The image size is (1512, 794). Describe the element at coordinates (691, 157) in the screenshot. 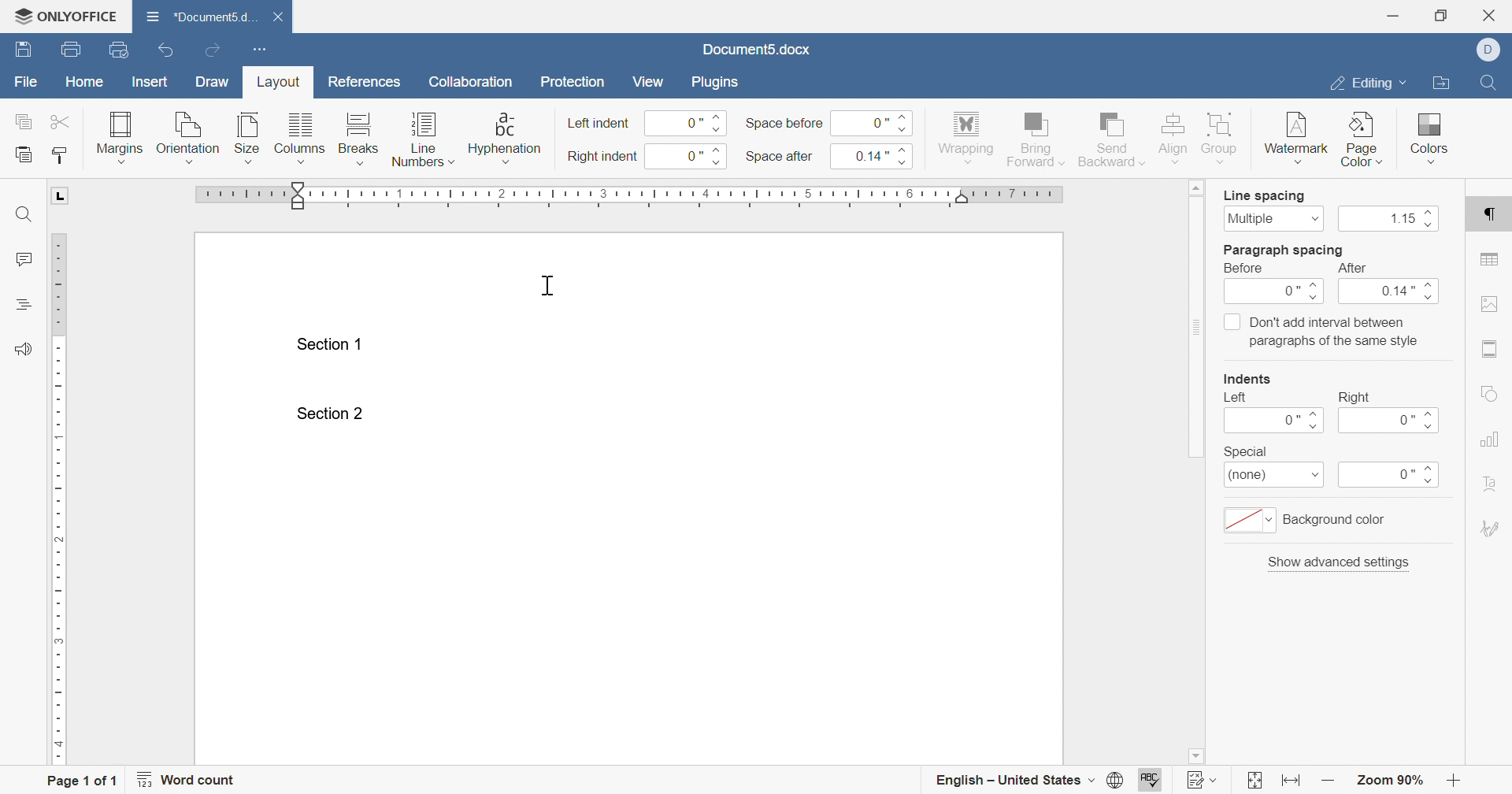

I see `0` at that location.